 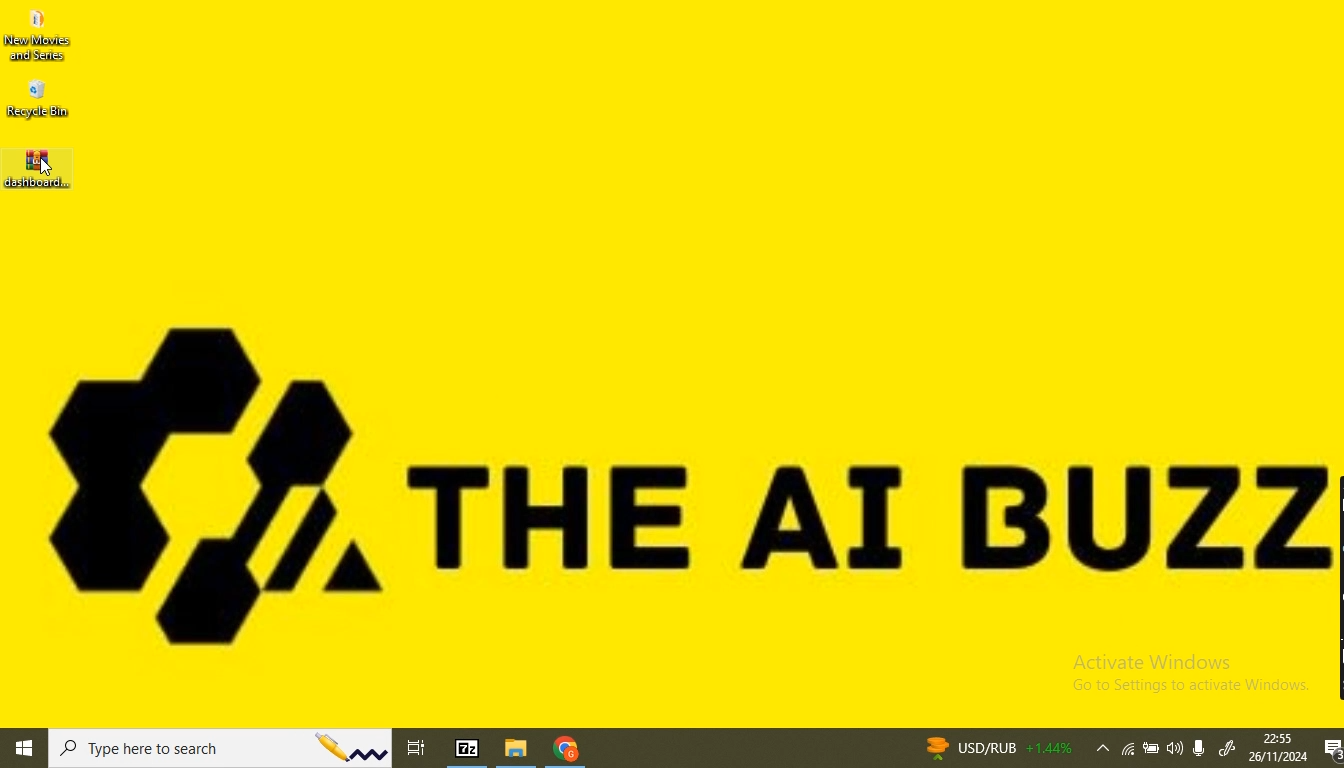 What do you see at coordinates (1330, 750) in the screenshot?
I see `notifications` at bounding box center [1330, 750].